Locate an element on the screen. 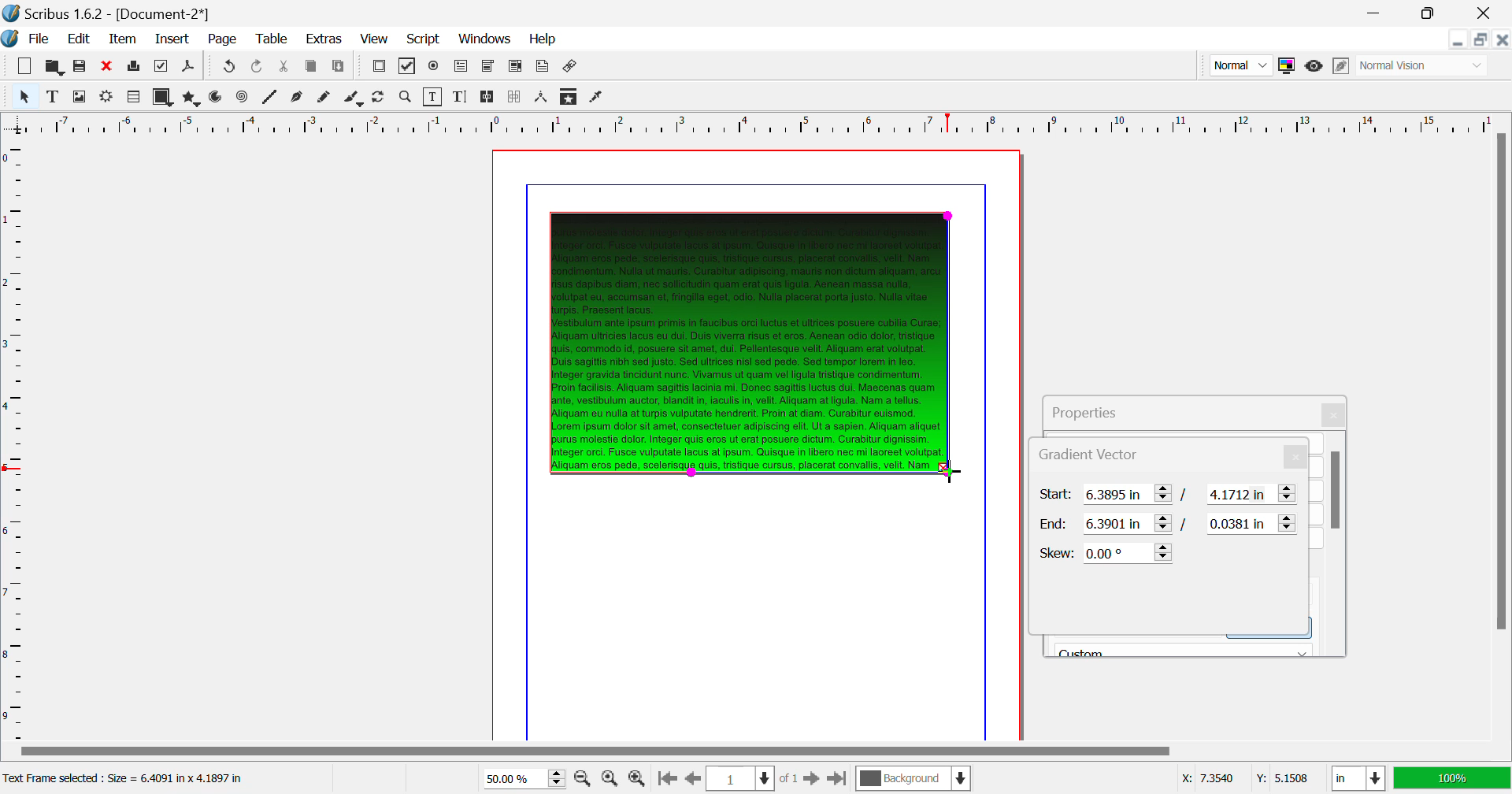 The width and height of the screenshot is (1512, 794). Save is located at coordinates (80, 66).